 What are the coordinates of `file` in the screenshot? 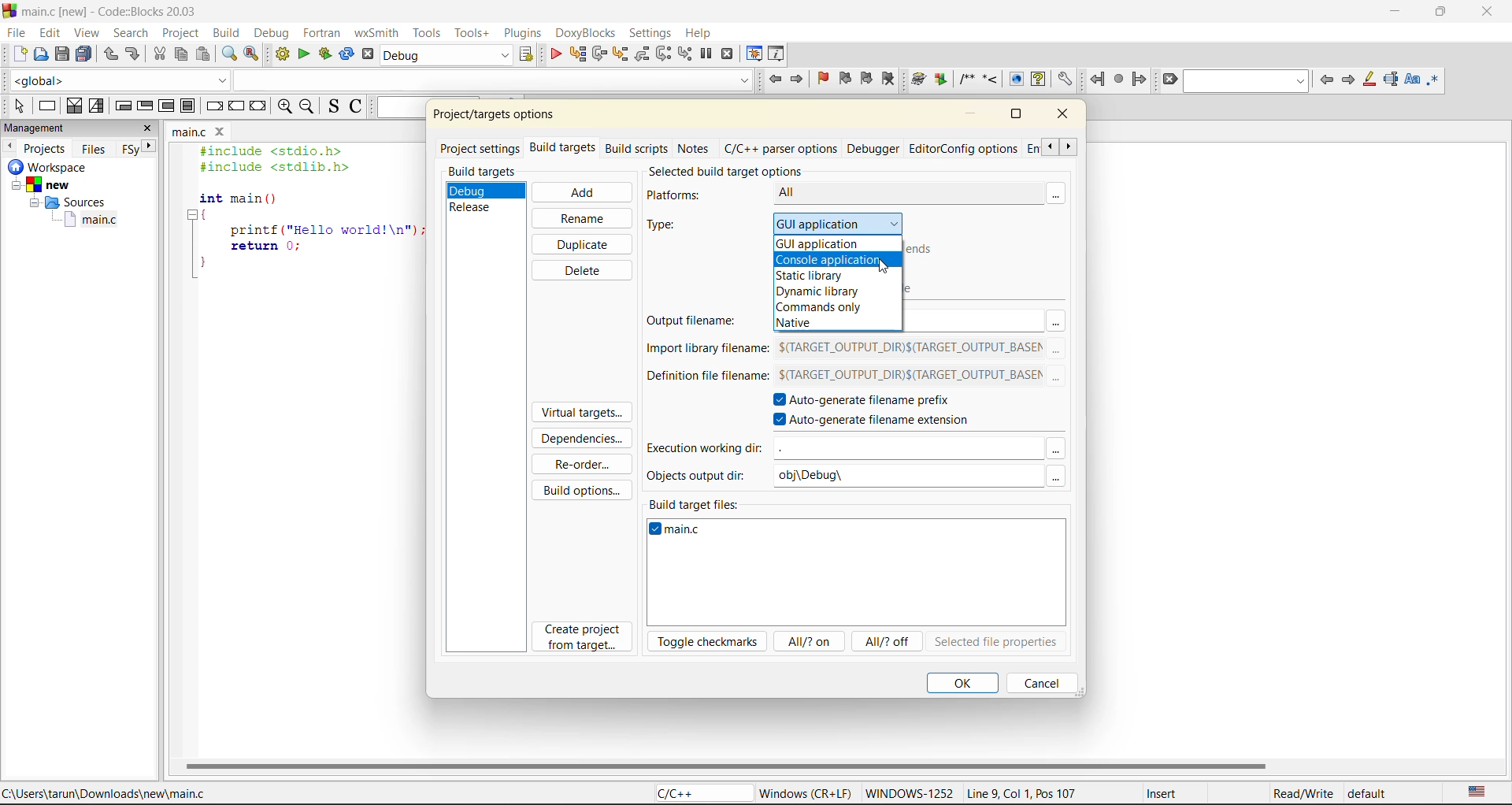 It's located at (17, 35).